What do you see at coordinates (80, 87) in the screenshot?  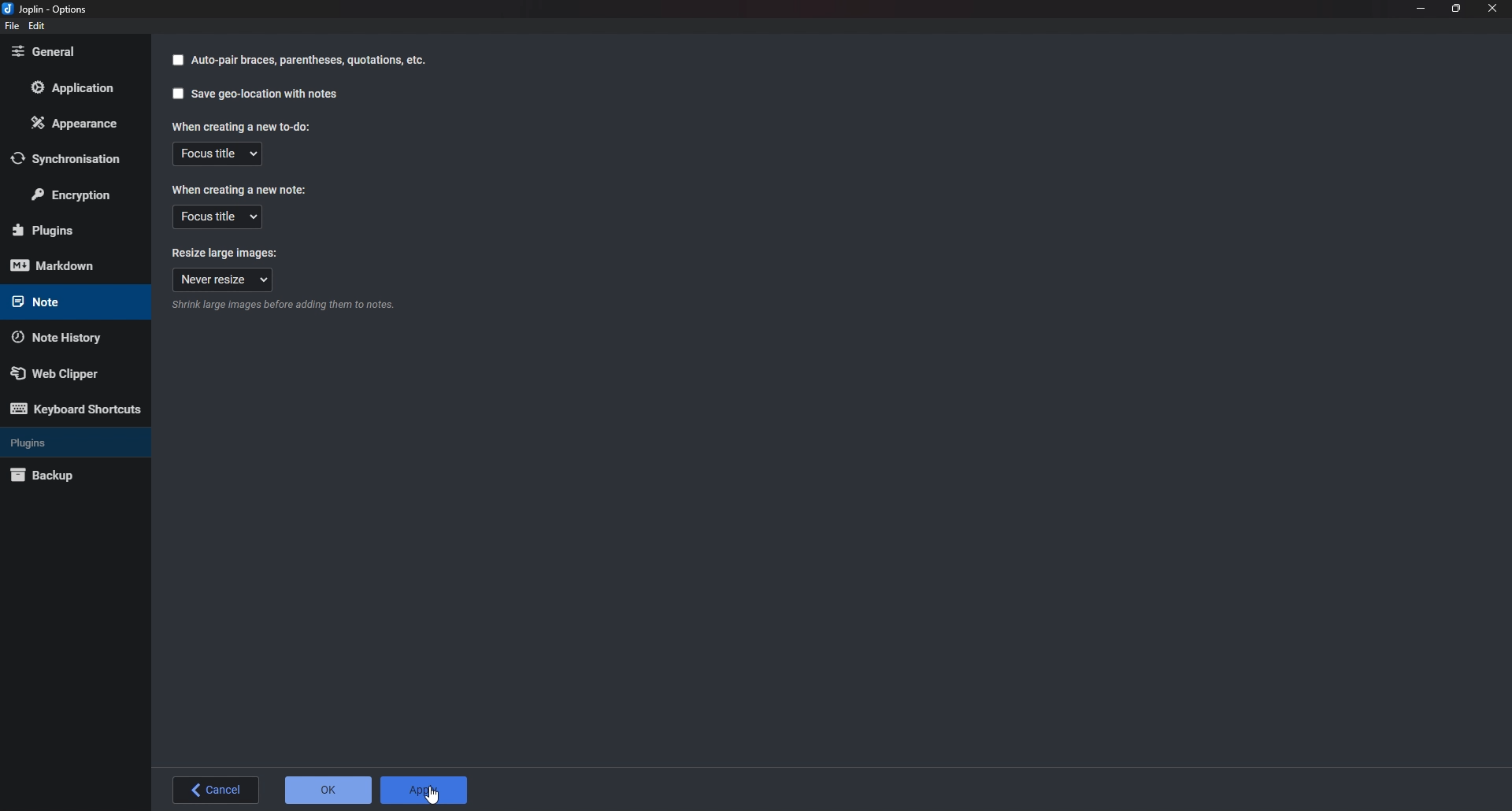 I see `Application` at bounding box center [80, 87].